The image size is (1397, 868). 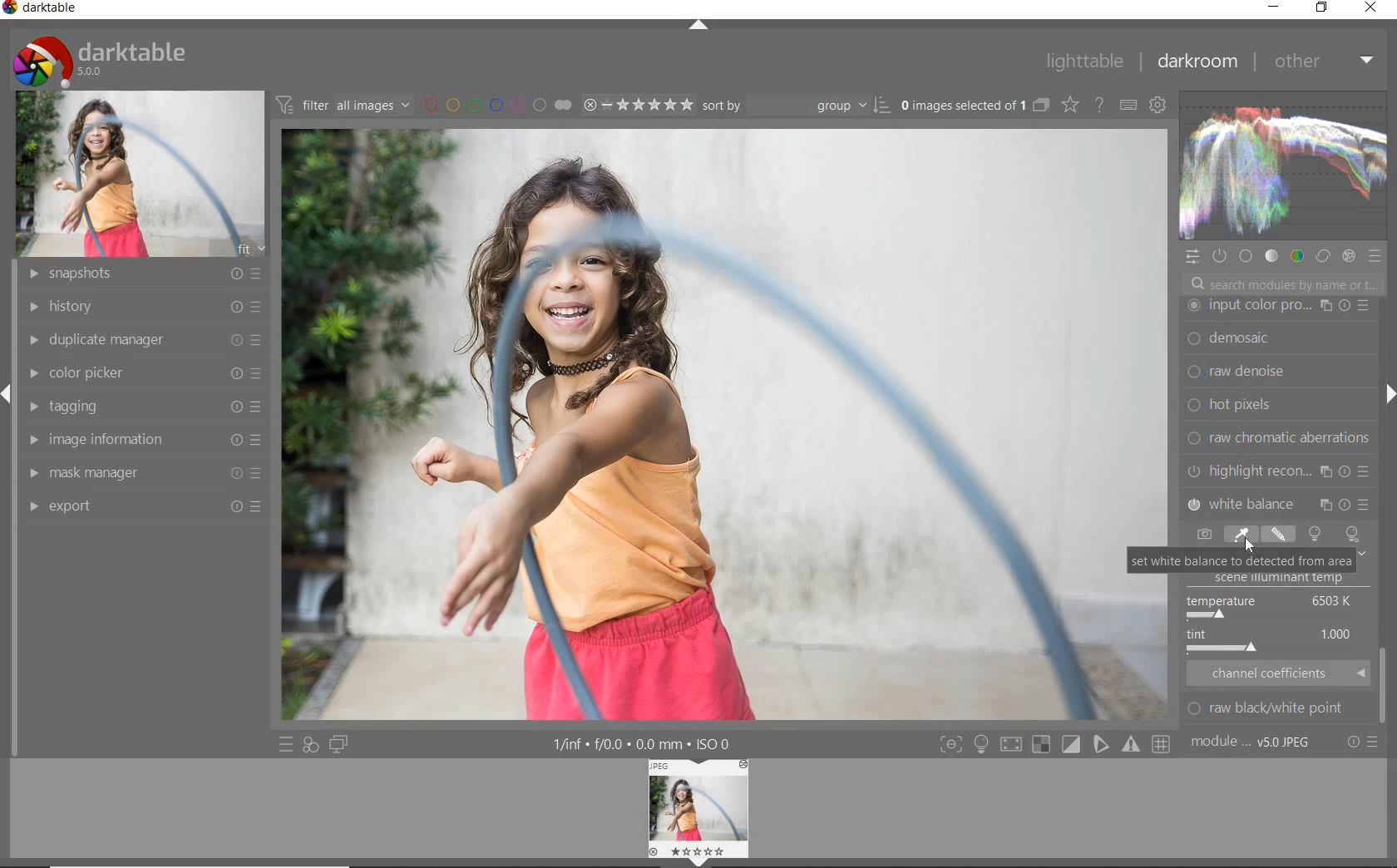 I want to click on quick access for applying any of your styles, so click(x=310, y=746).